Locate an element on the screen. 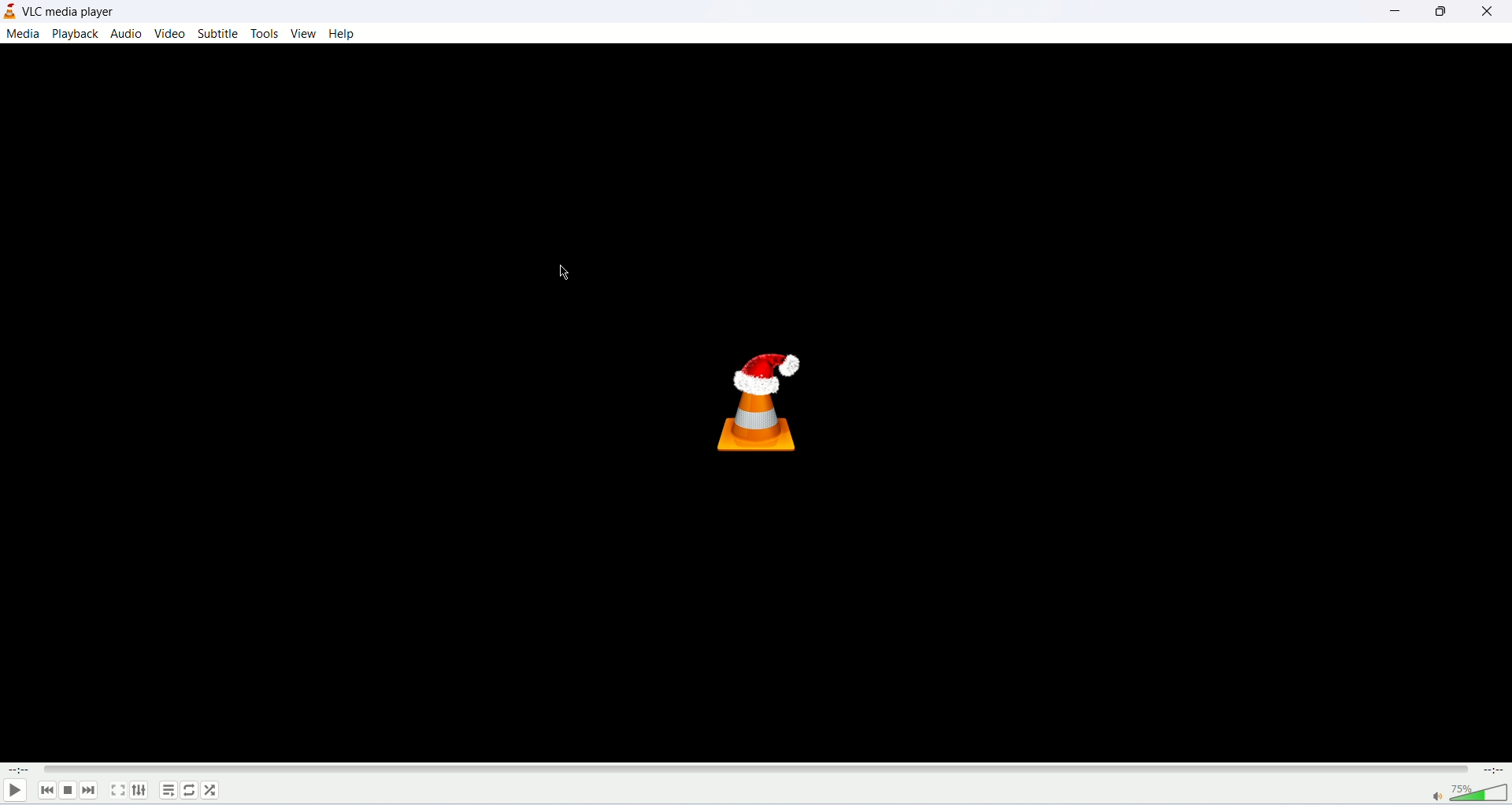 This screenshot has width=1512, height=805. close is located at coordinates (1488, 13).